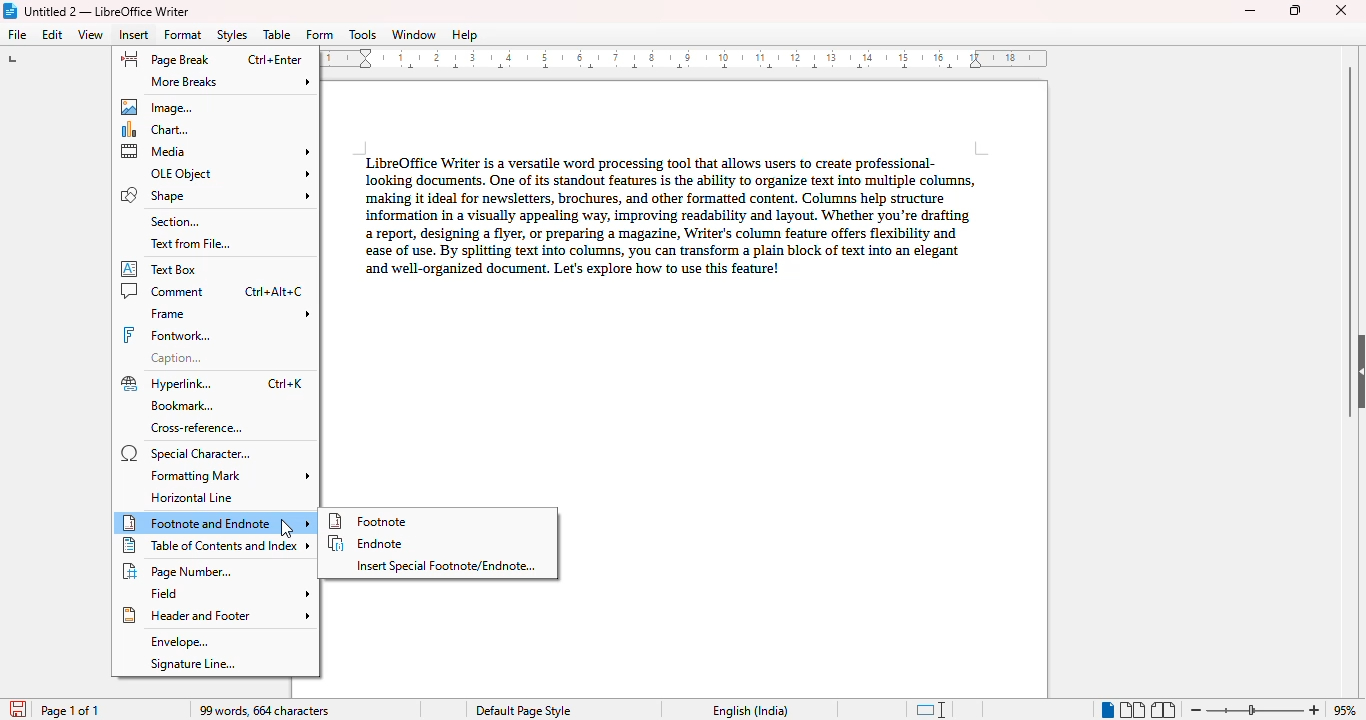 This screenshot has width=1366, height=720. Describe the element at coordinates (190, 245) in the screenshot. I see `text from file` at that location.